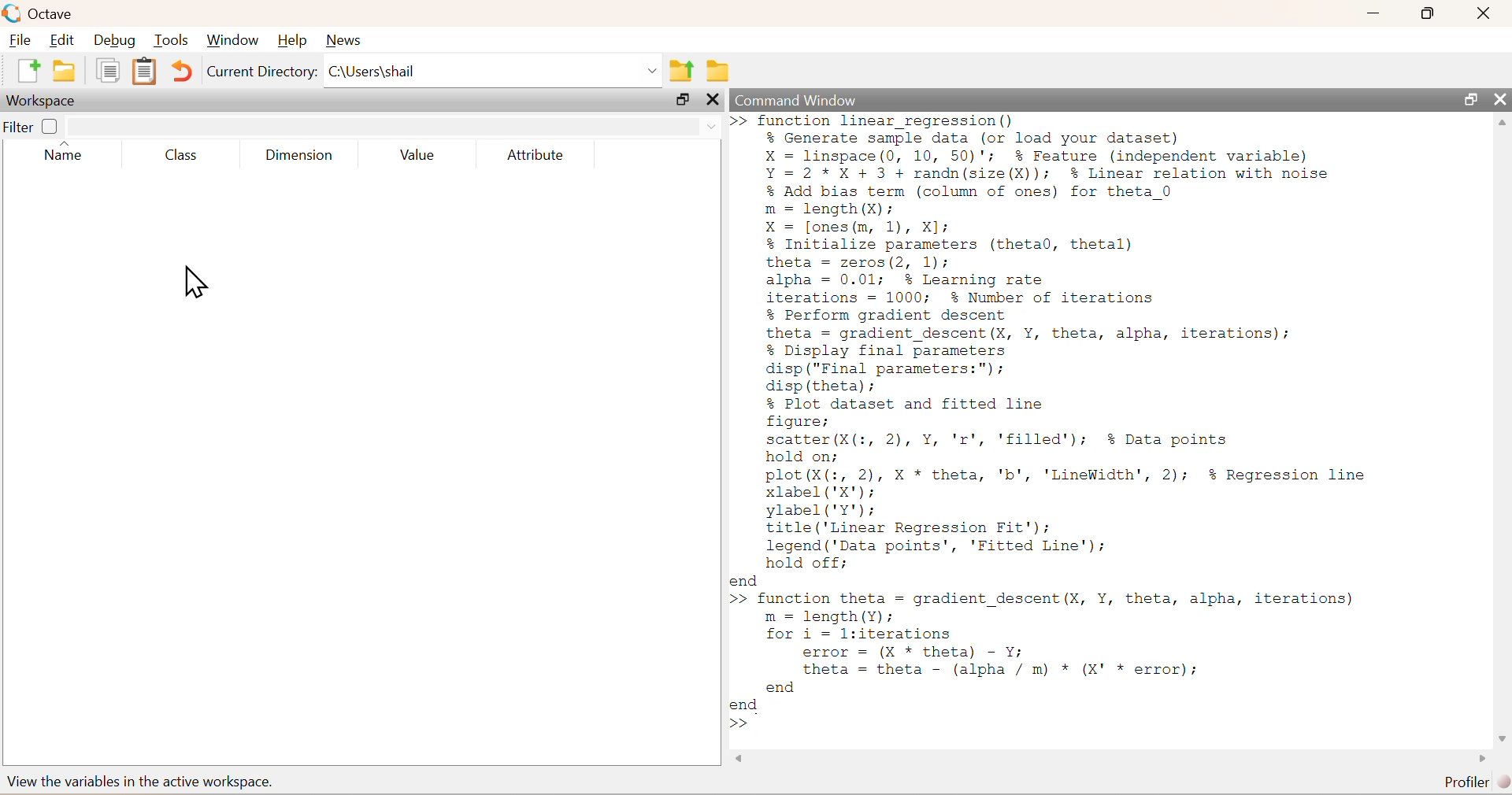  Describe the element at coordinates (491, 70) in the screenshot. I see `C:\Users|shail` at that location.